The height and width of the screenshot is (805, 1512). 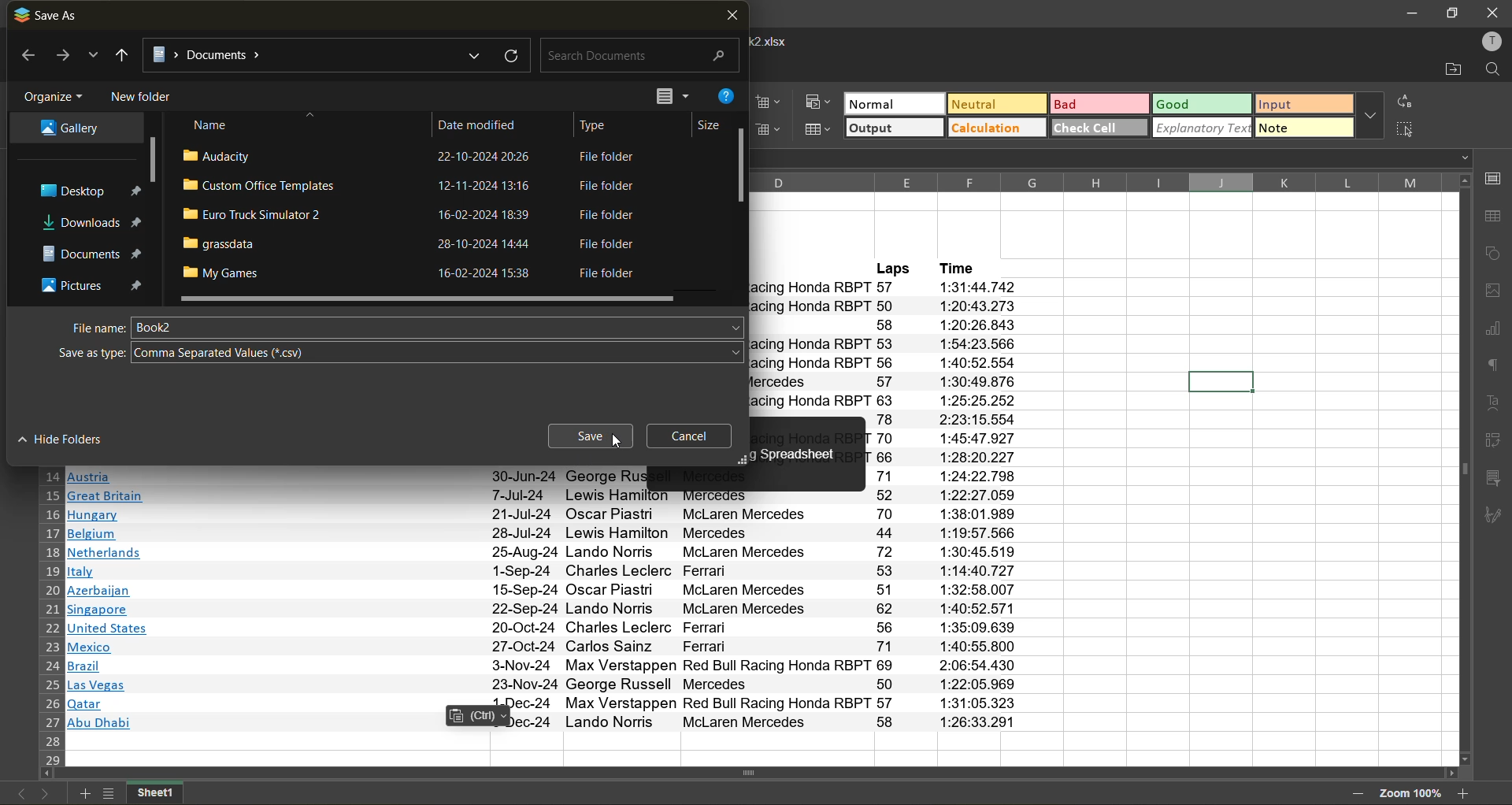 I want to click on file  name, so click(x=89, y=327).